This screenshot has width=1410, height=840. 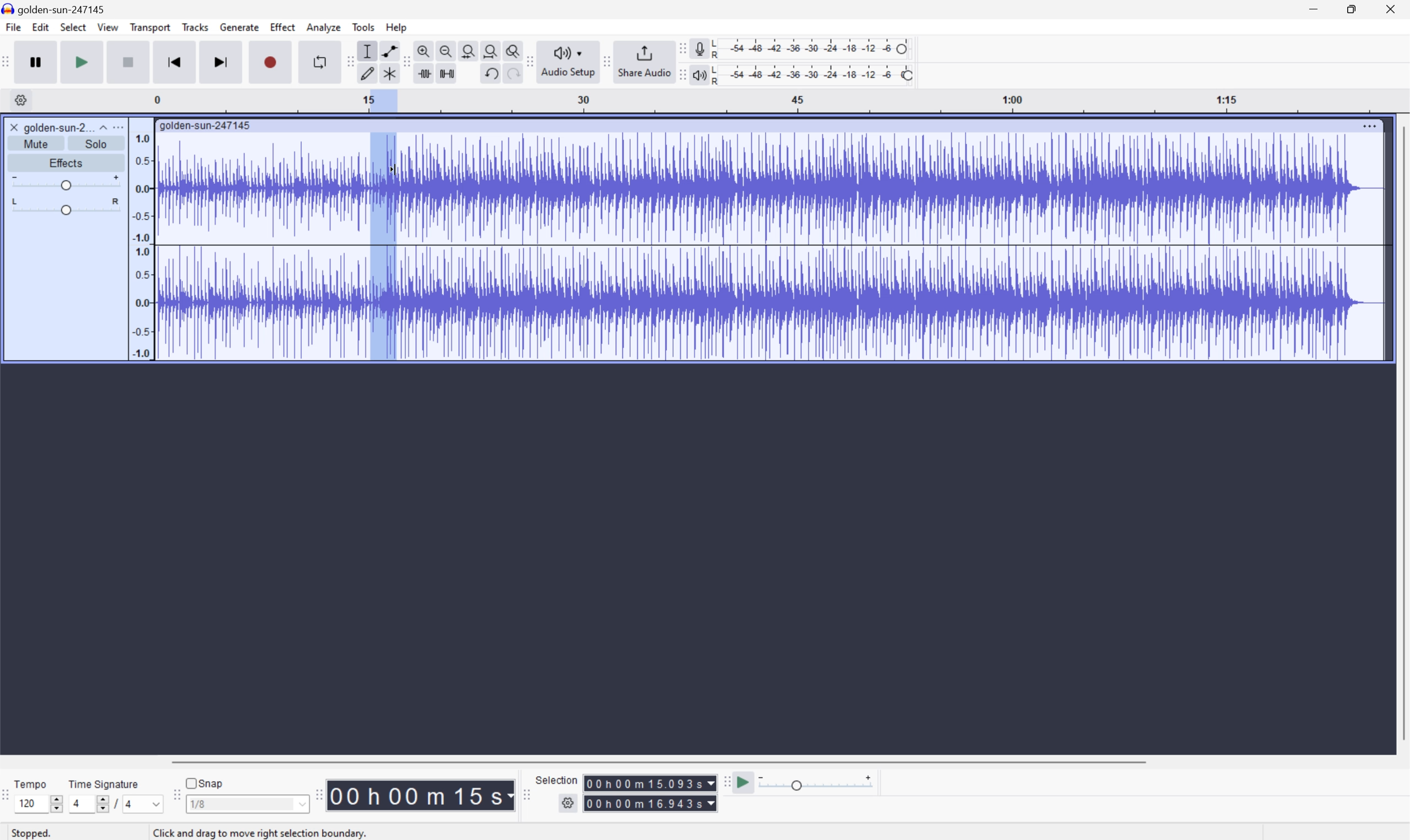 I want to click on Settings, so click(x=570, y=803).